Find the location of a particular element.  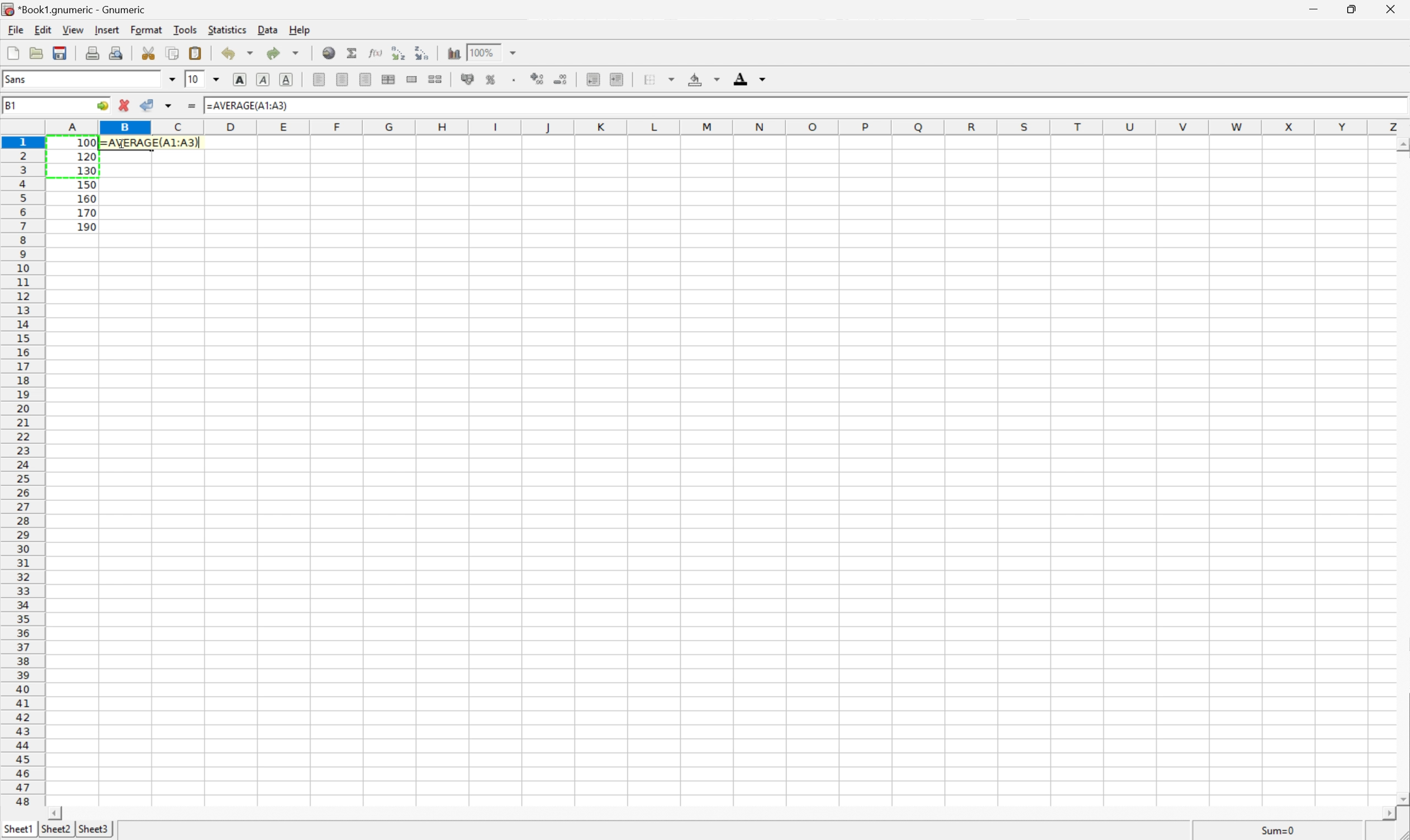

Format the selection as accounting is located at coordinates (470, 79).